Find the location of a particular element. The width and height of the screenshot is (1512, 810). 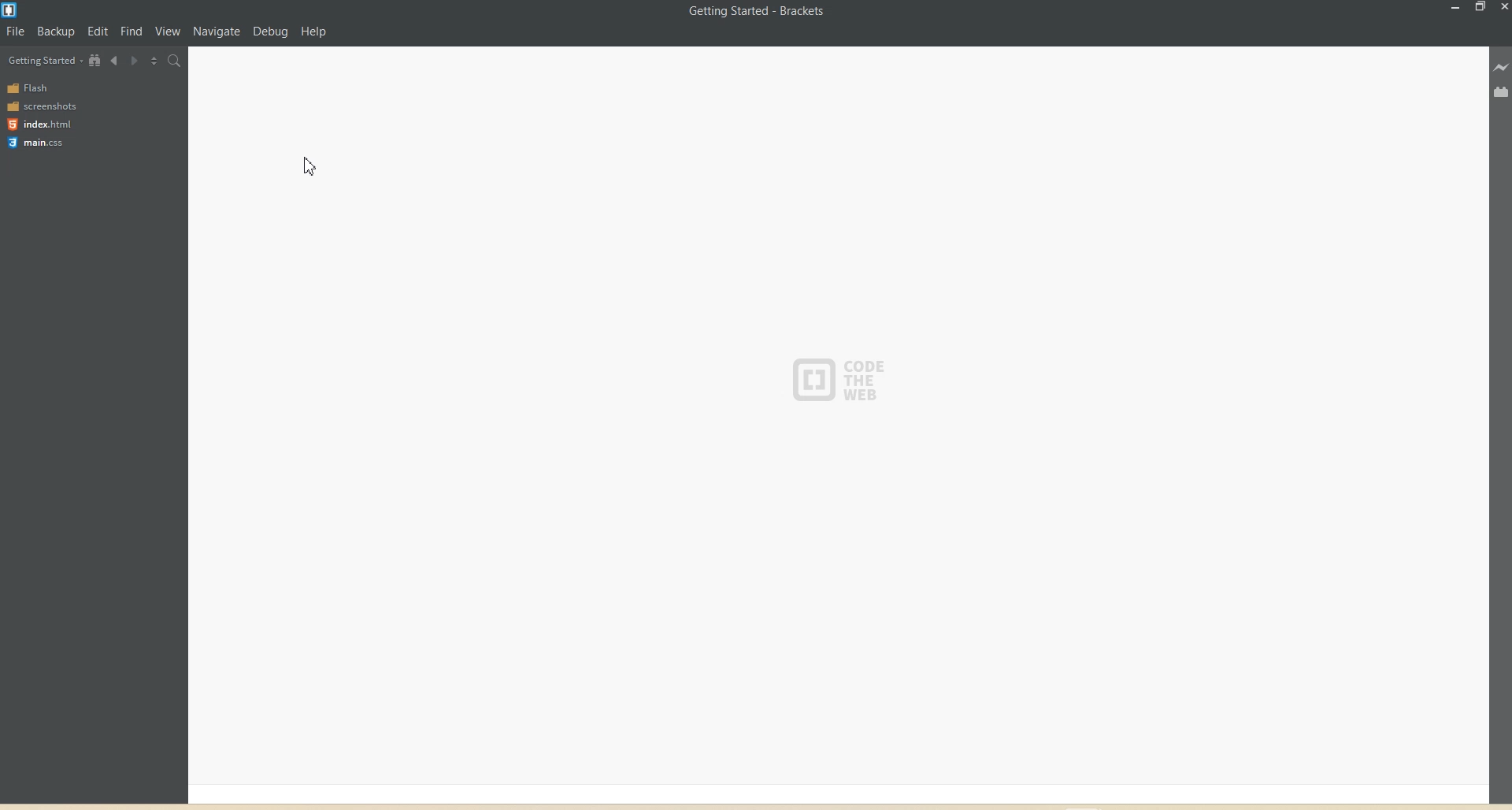

main.css is located at coordinates (39, 143).